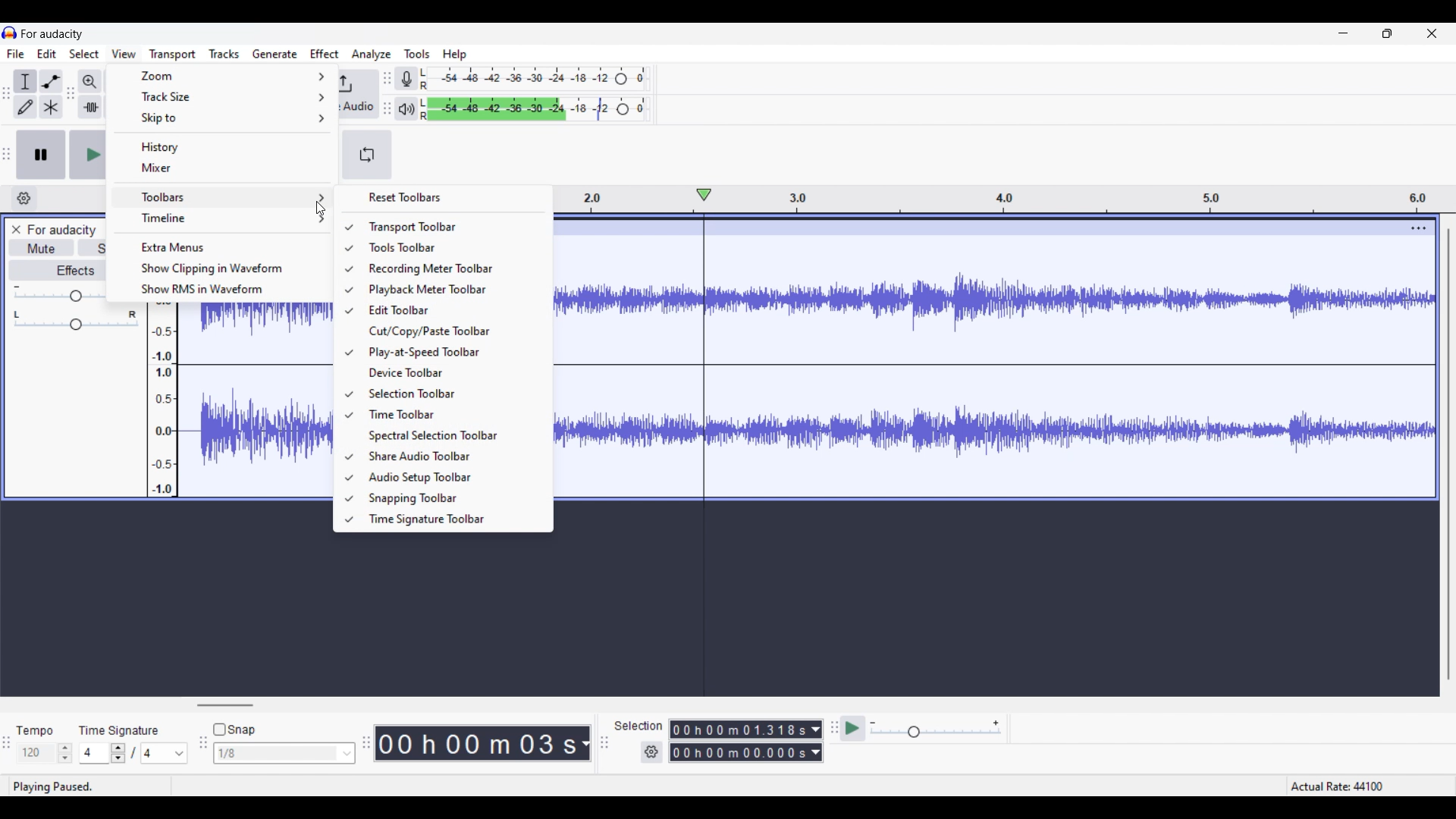  Describe the element at coordinates (223, 246) in the screenshot. I see `Extra menus` at that location.